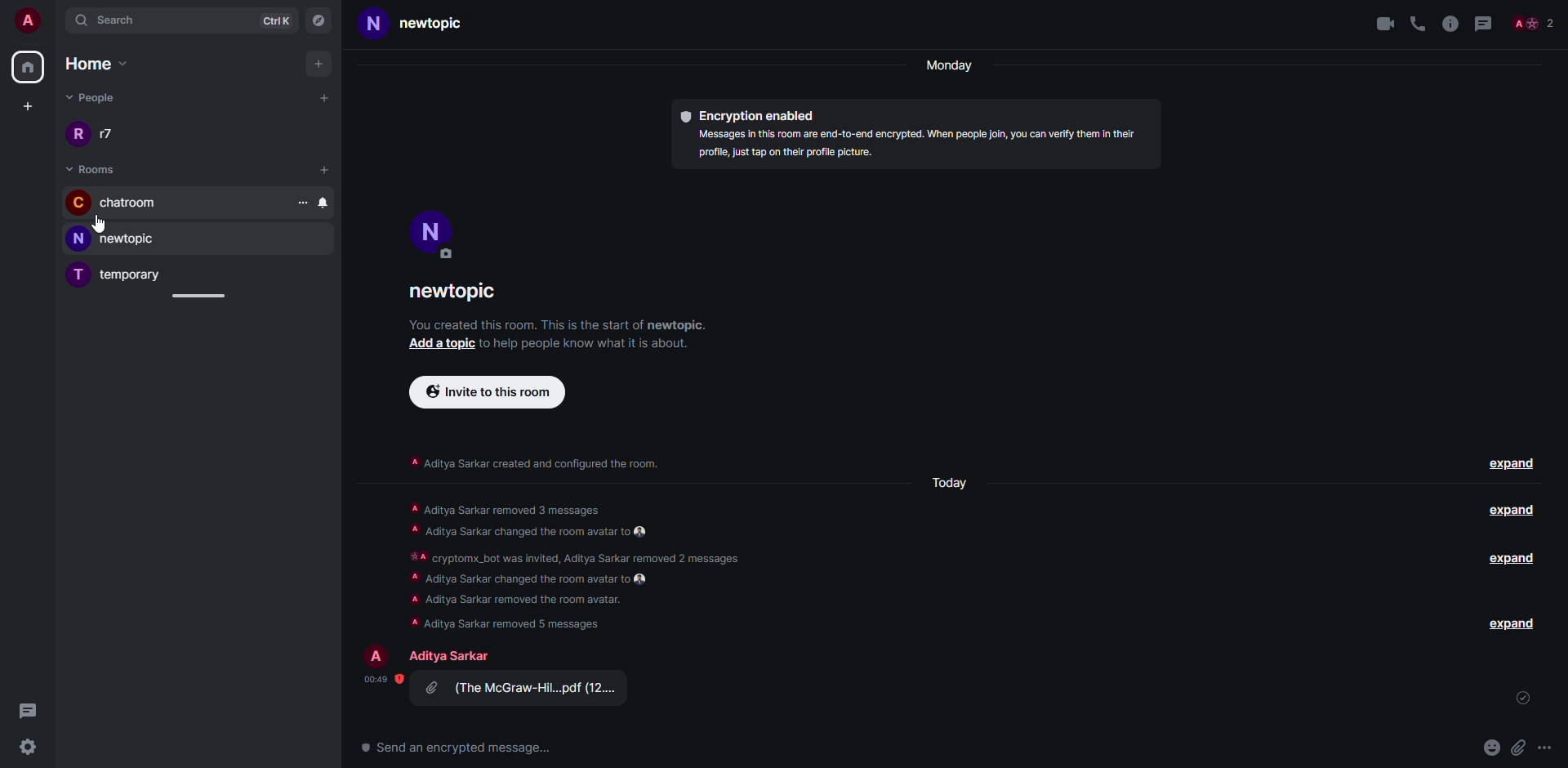 This screenshot has width=1568, height=768. I want to click on add, so click(327, 169).